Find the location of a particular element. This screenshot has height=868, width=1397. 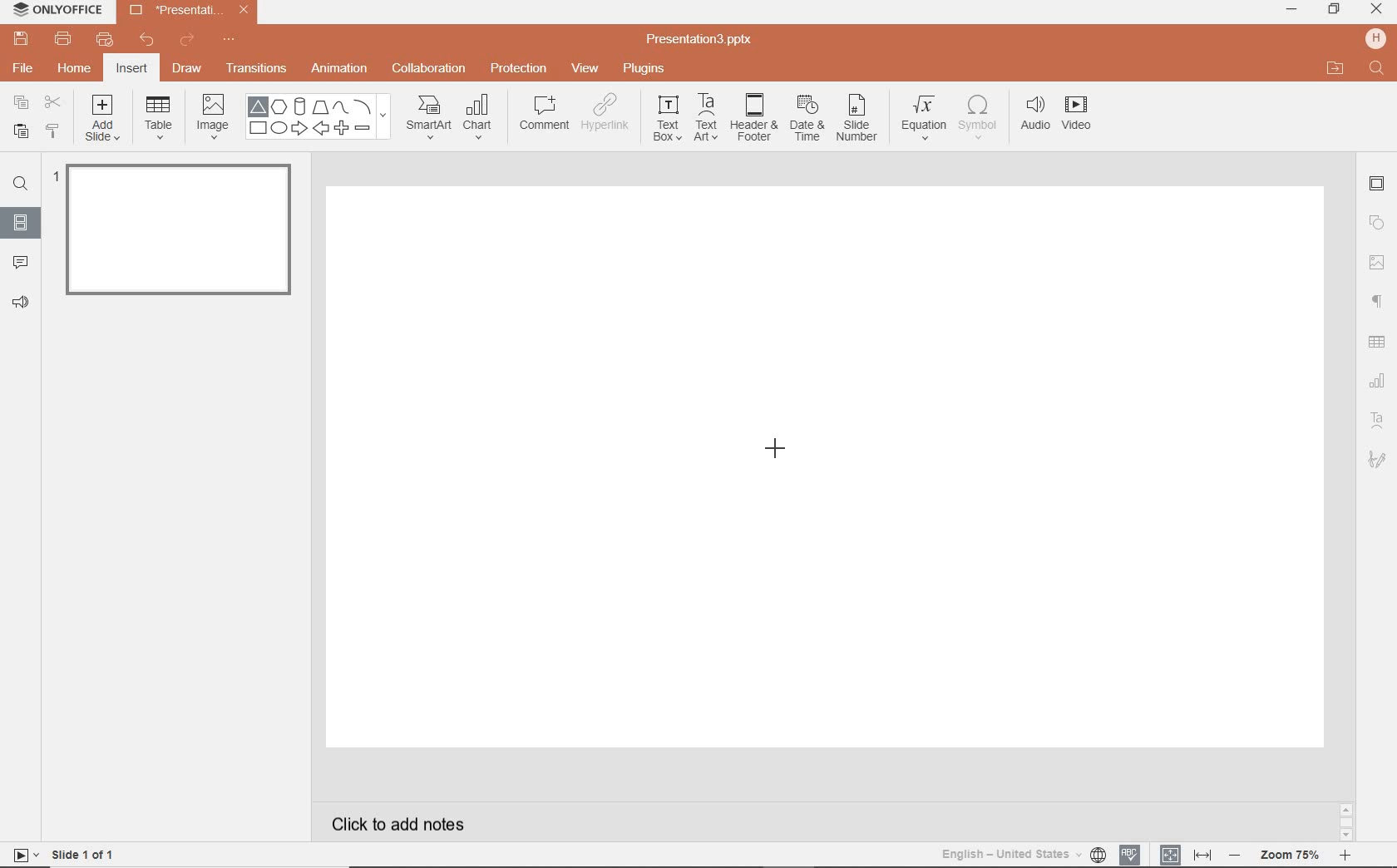

UNDO is located at coordinates (148, 41).